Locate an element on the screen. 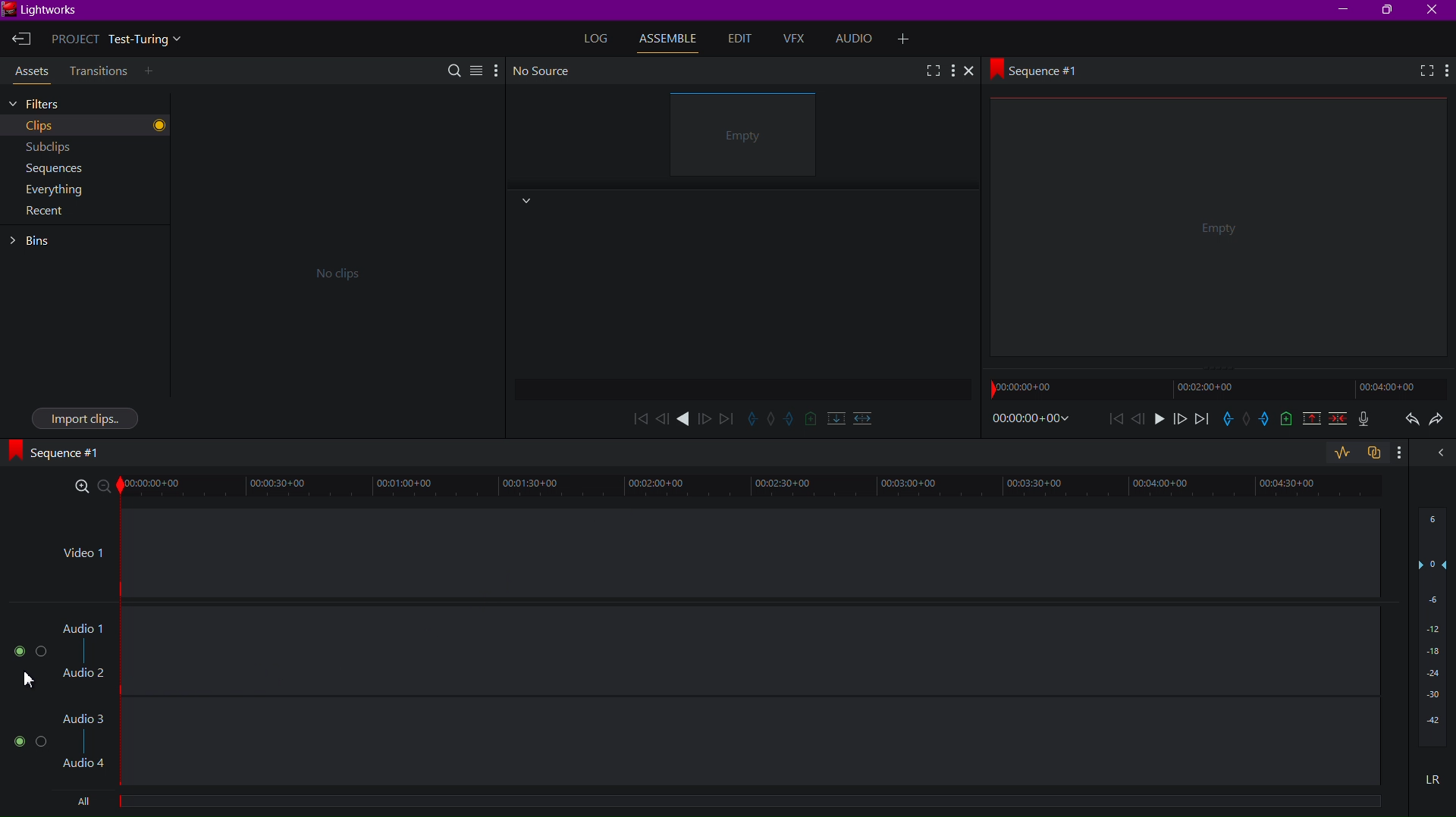 The image size is (1456, 817). Time frames is located at coordinates (1209, 388).